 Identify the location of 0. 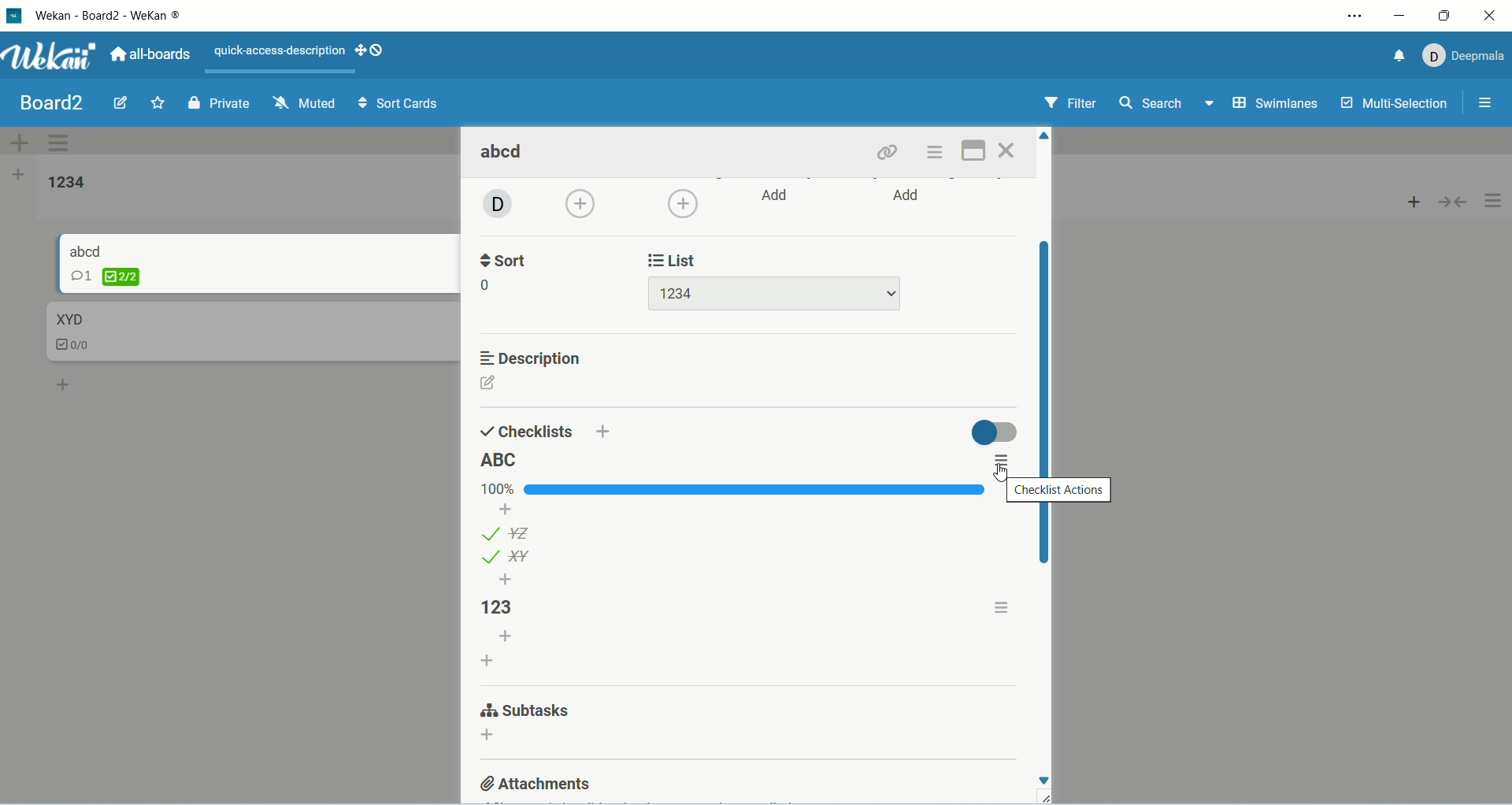
(489, 286).